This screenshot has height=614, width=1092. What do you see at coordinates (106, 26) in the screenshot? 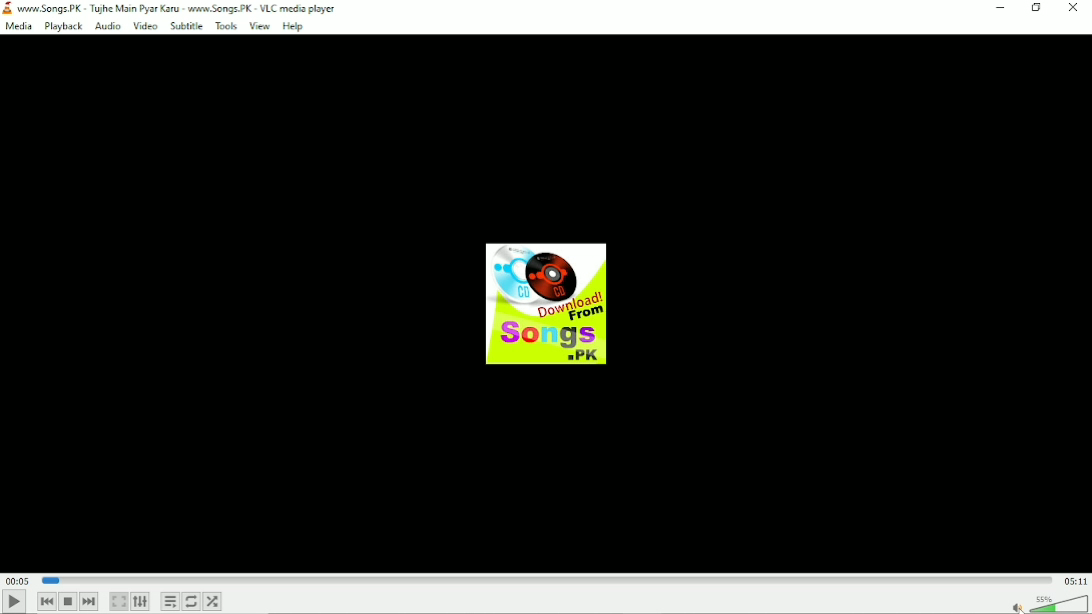
I see `Audio` at bounding box center [106, 26].